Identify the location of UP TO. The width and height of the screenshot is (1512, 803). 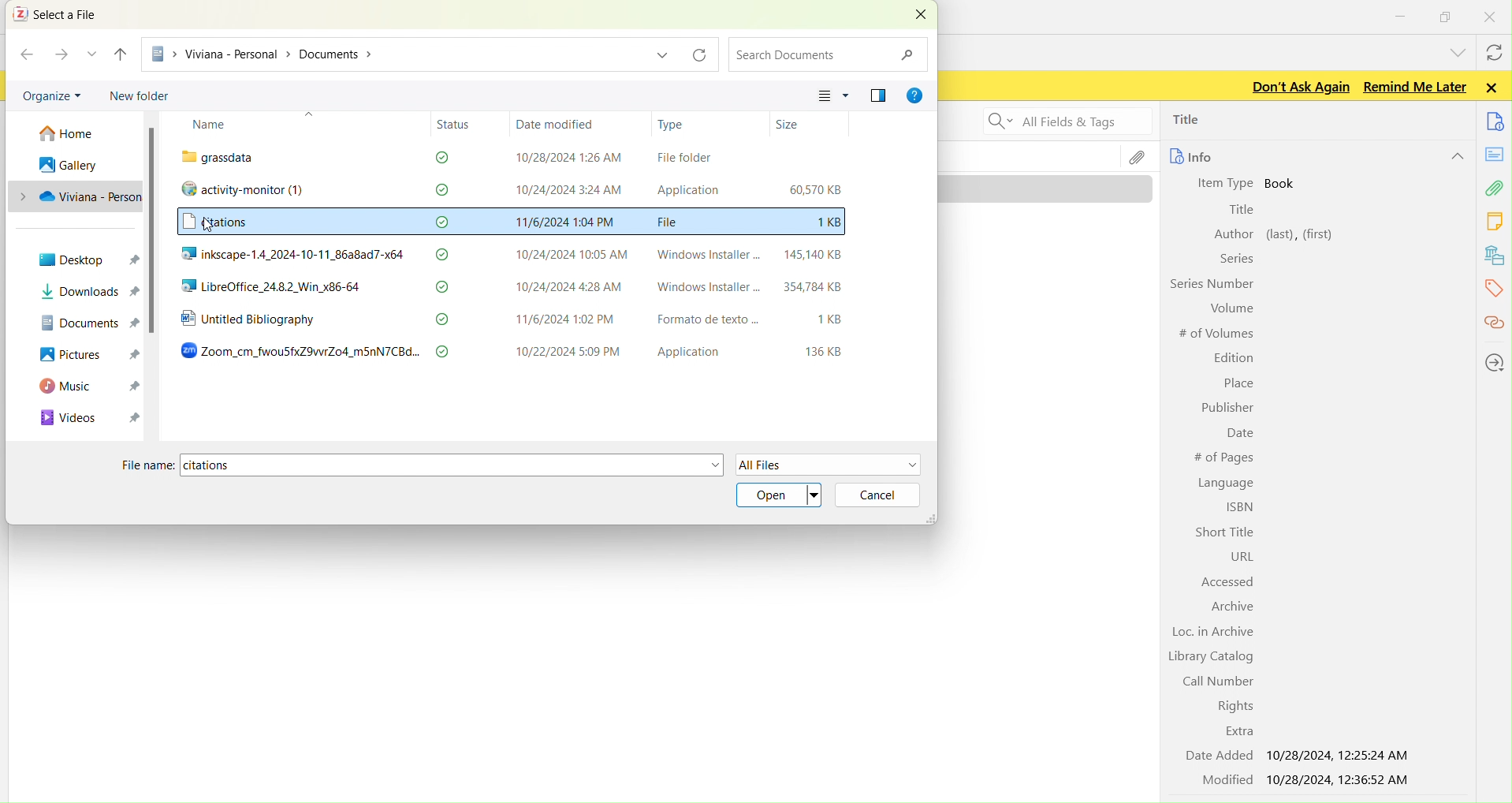
(121, 54).